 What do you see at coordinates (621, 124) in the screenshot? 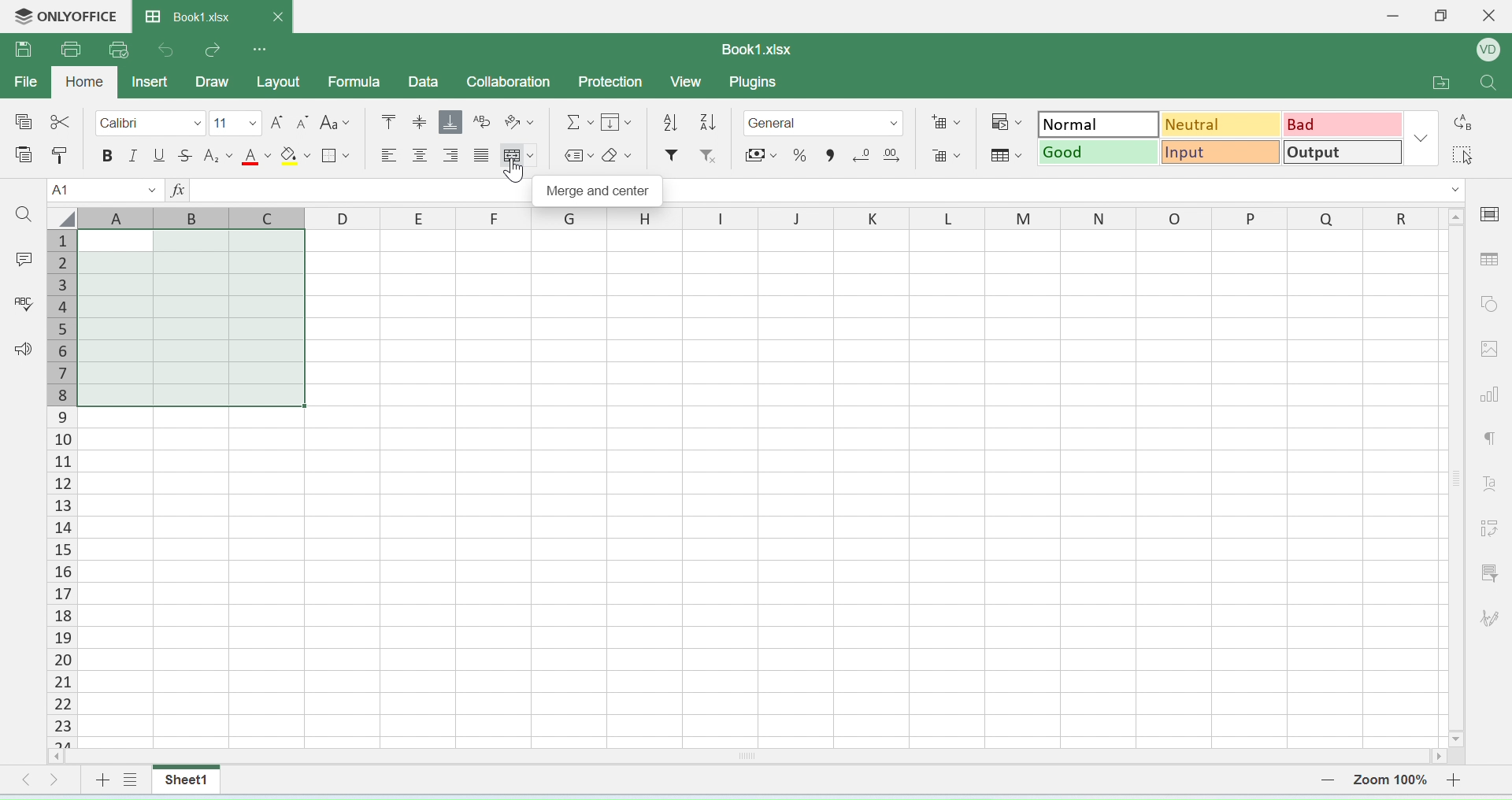
I see `fill` at bounding box center [621, 124].